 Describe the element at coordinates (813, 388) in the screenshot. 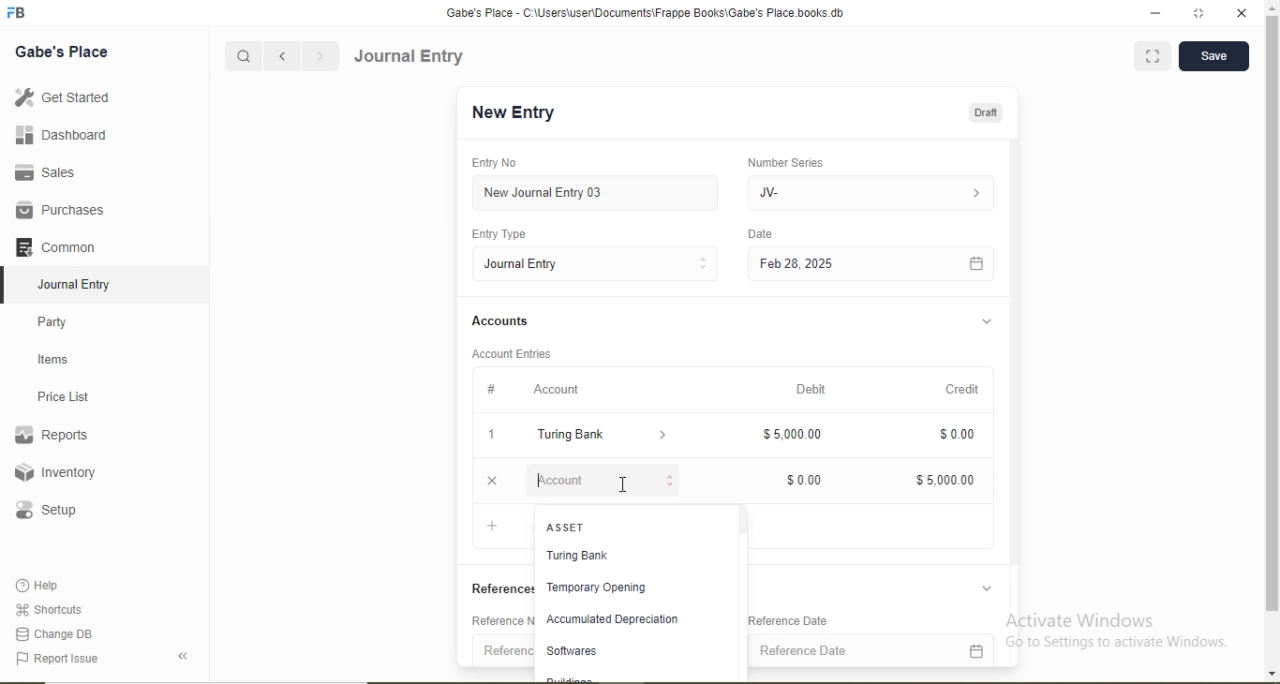

I see `Debit` at that location.